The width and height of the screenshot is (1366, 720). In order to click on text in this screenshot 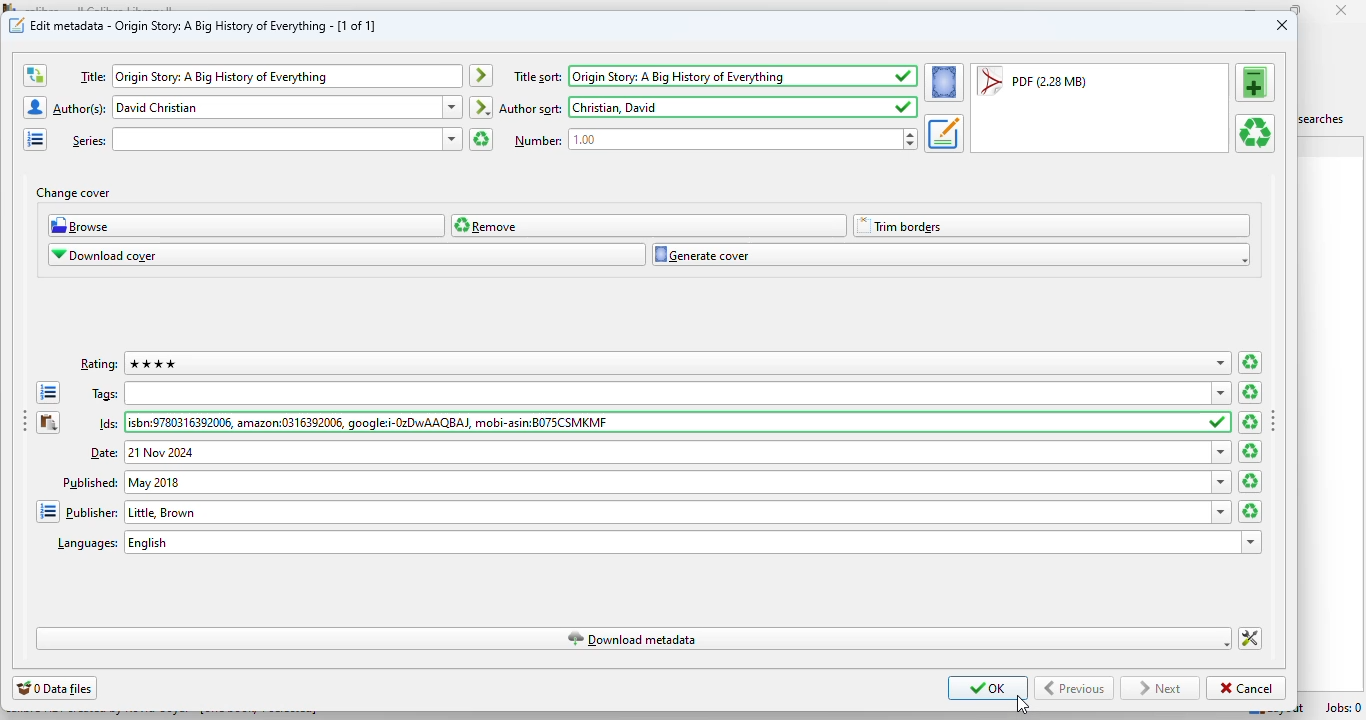, I will do `click(90, 482)`.